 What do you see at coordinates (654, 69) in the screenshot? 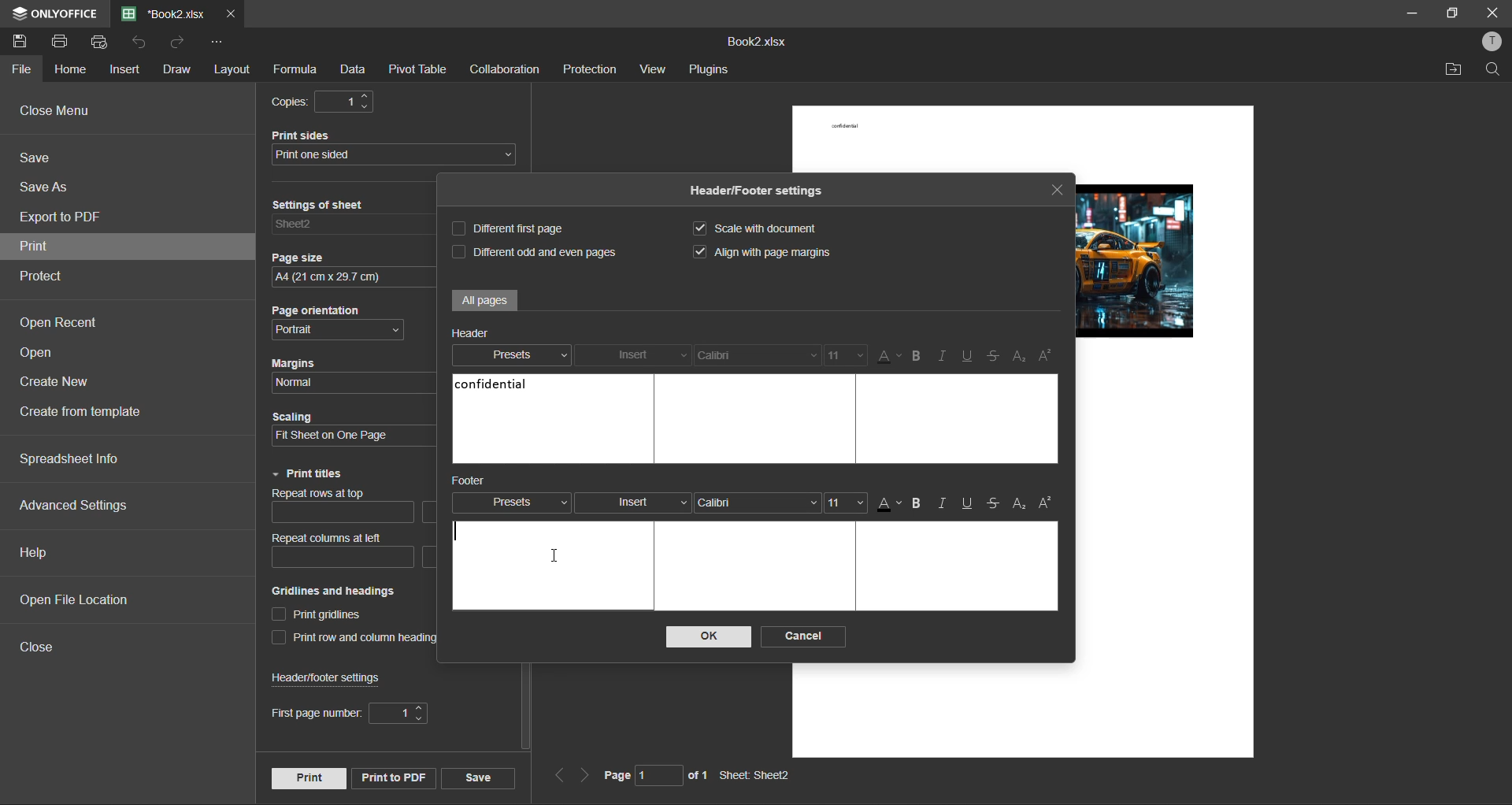
I see `view` at bounding box center [654, 69].